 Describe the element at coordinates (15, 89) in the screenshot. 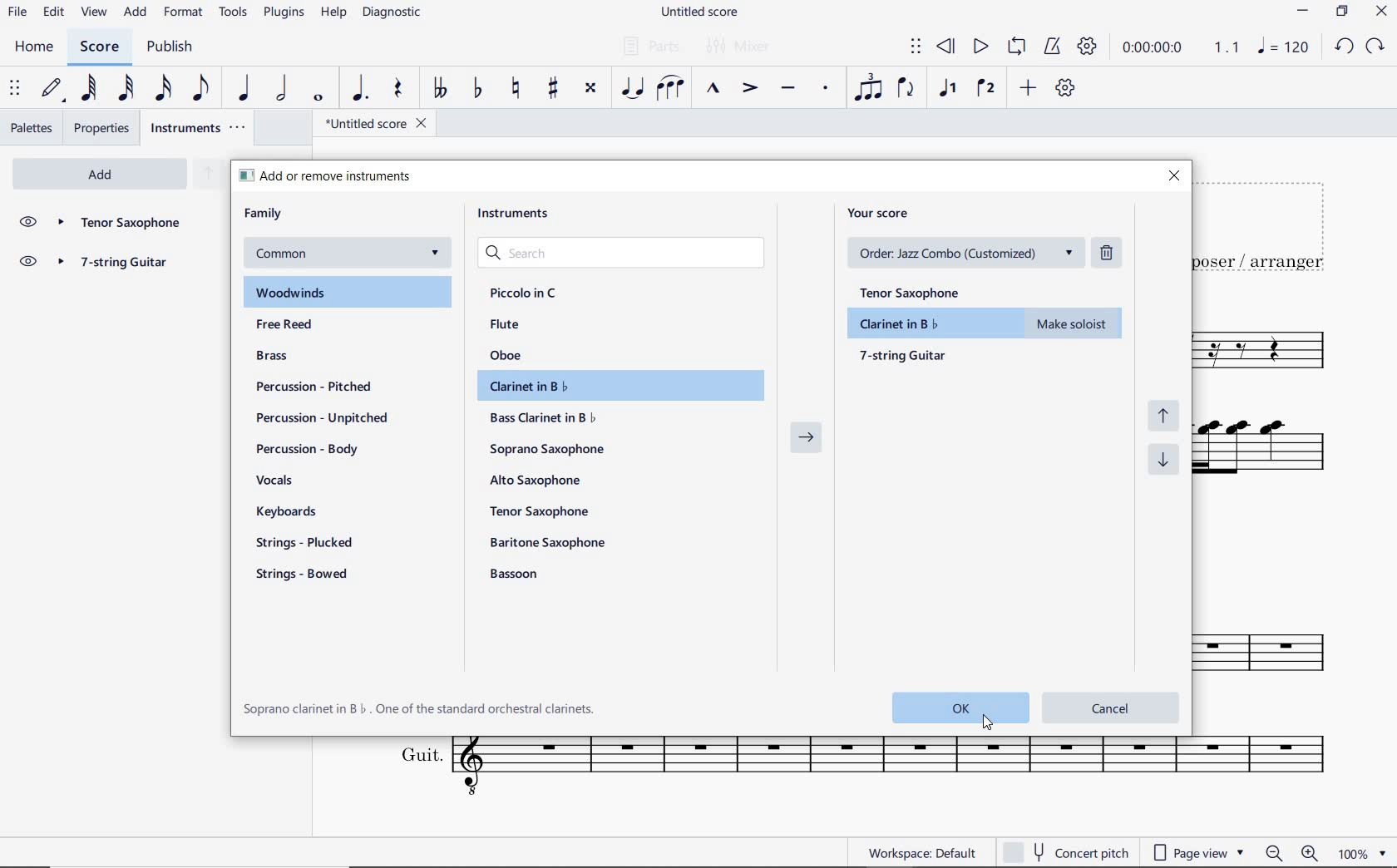

I see `SELECET TO MOVE` at that location.